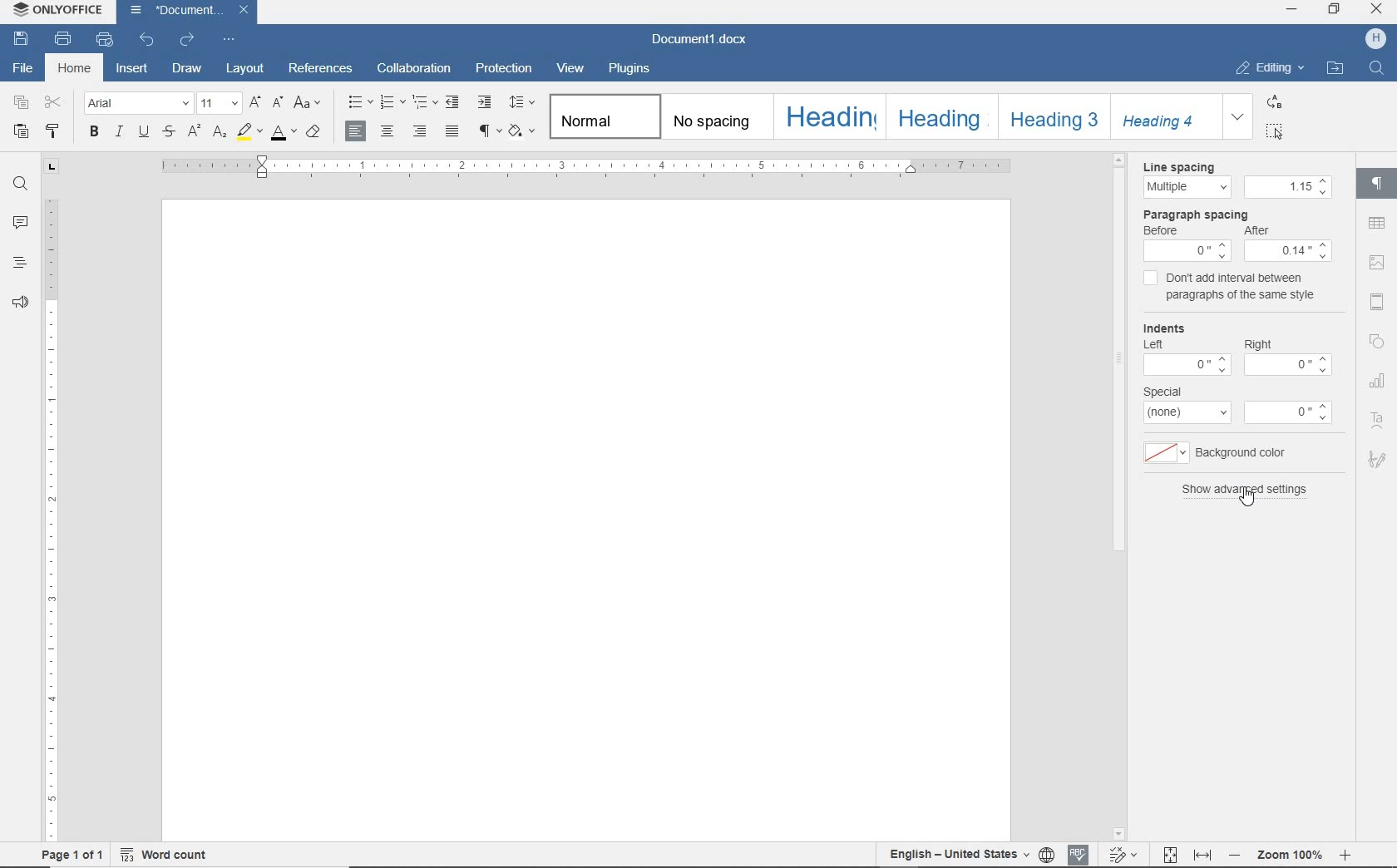 Image resolution: width=1397 pixels, height=868 pixels. What do you see at coordinates (486, 102) in the screenshot?
I see `increase indent` at bounding box center [486, 102].